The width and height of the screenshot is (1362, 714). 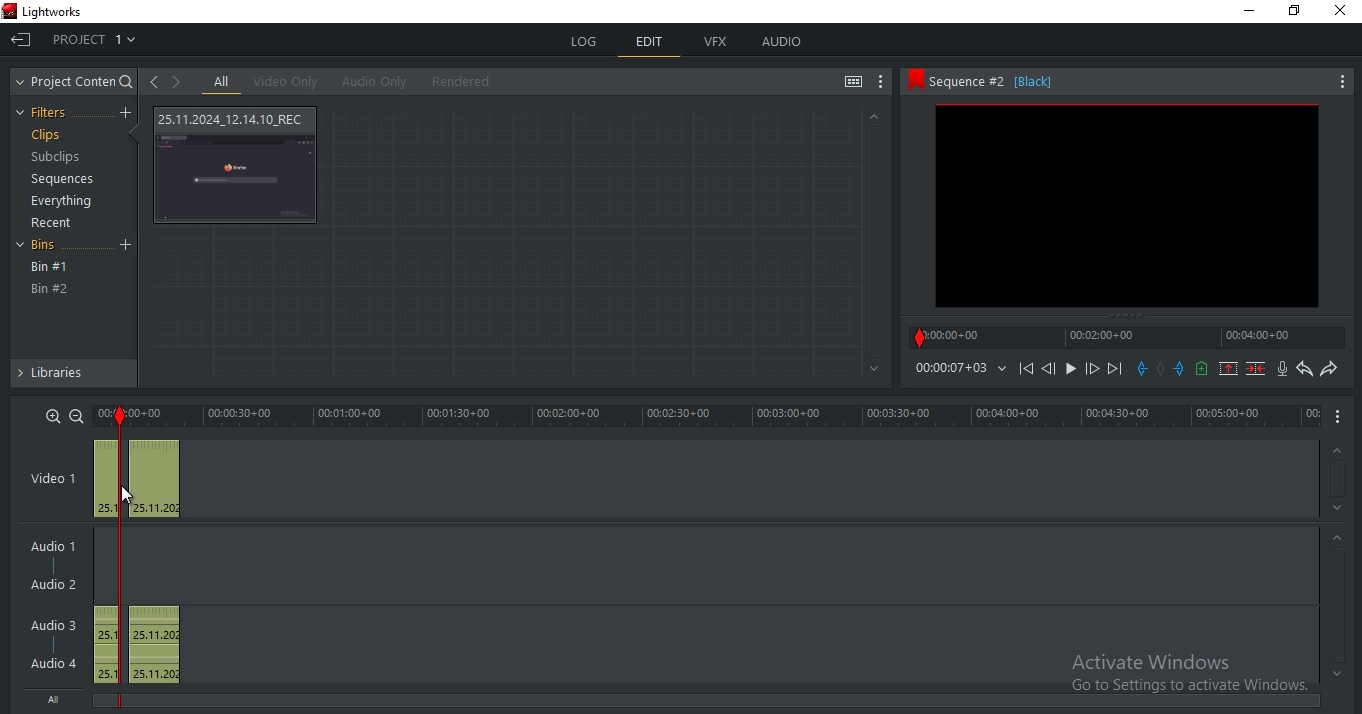 What do you see at coordinates (57, 543) in the screenshot?
I see `Audio 1` at bounding box center [57, 543].